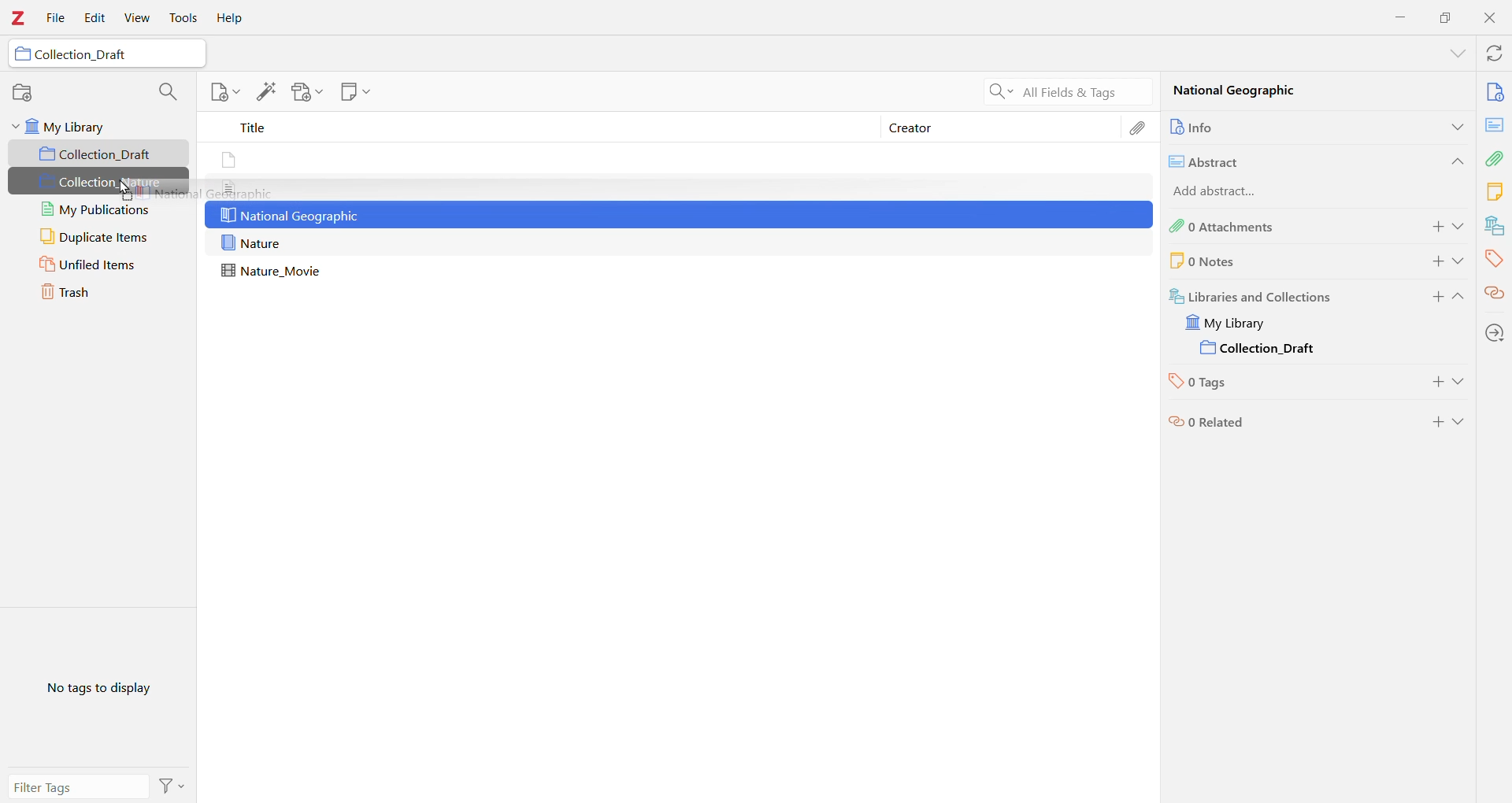 This screenshot has height=803, width=1512. Describe the element at coordinates (1283, 294) in the screenshot. I see `Libraries and Collections` at that location.